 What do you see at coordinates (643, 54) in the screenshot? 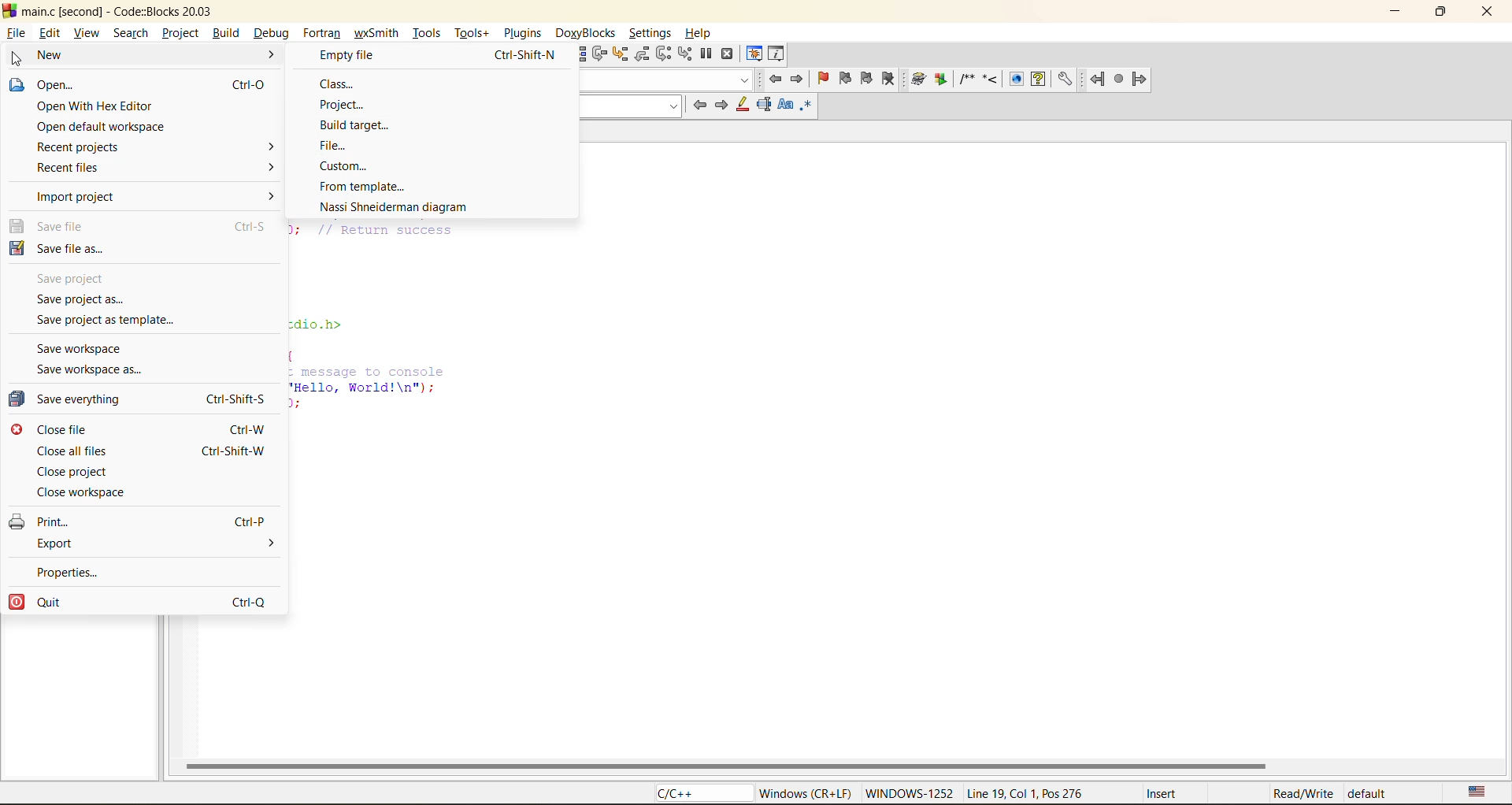
I see `step out` at bounding box center [643, 54].